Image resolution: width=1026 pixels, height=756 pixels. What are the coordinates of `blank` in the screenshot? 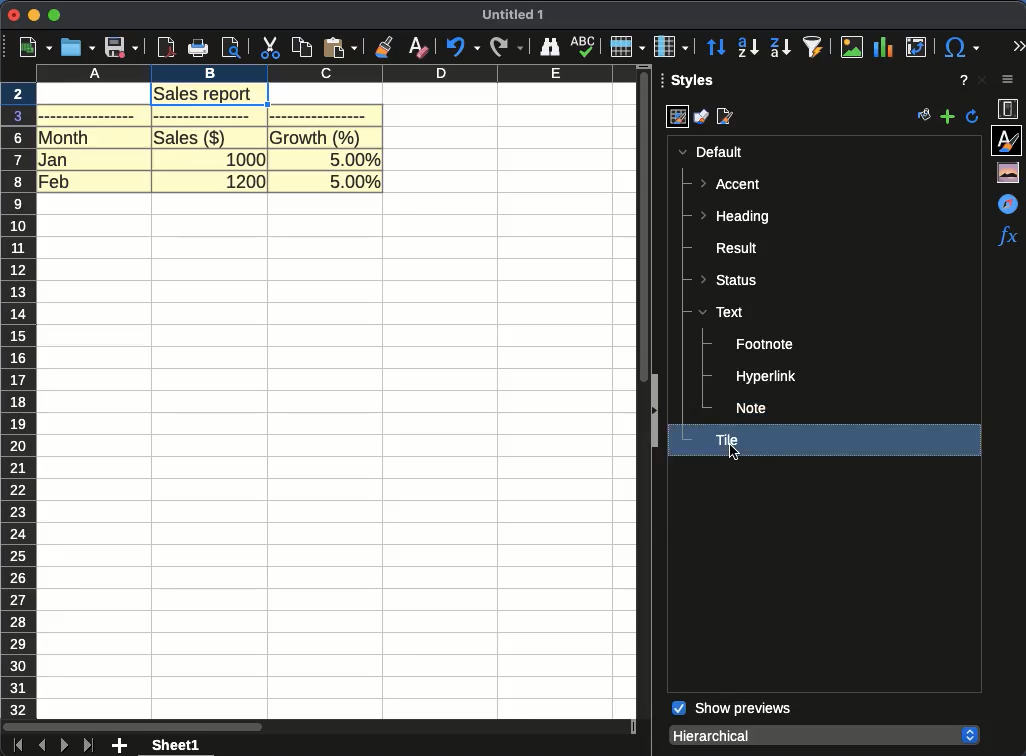 It's located at (88, 115).